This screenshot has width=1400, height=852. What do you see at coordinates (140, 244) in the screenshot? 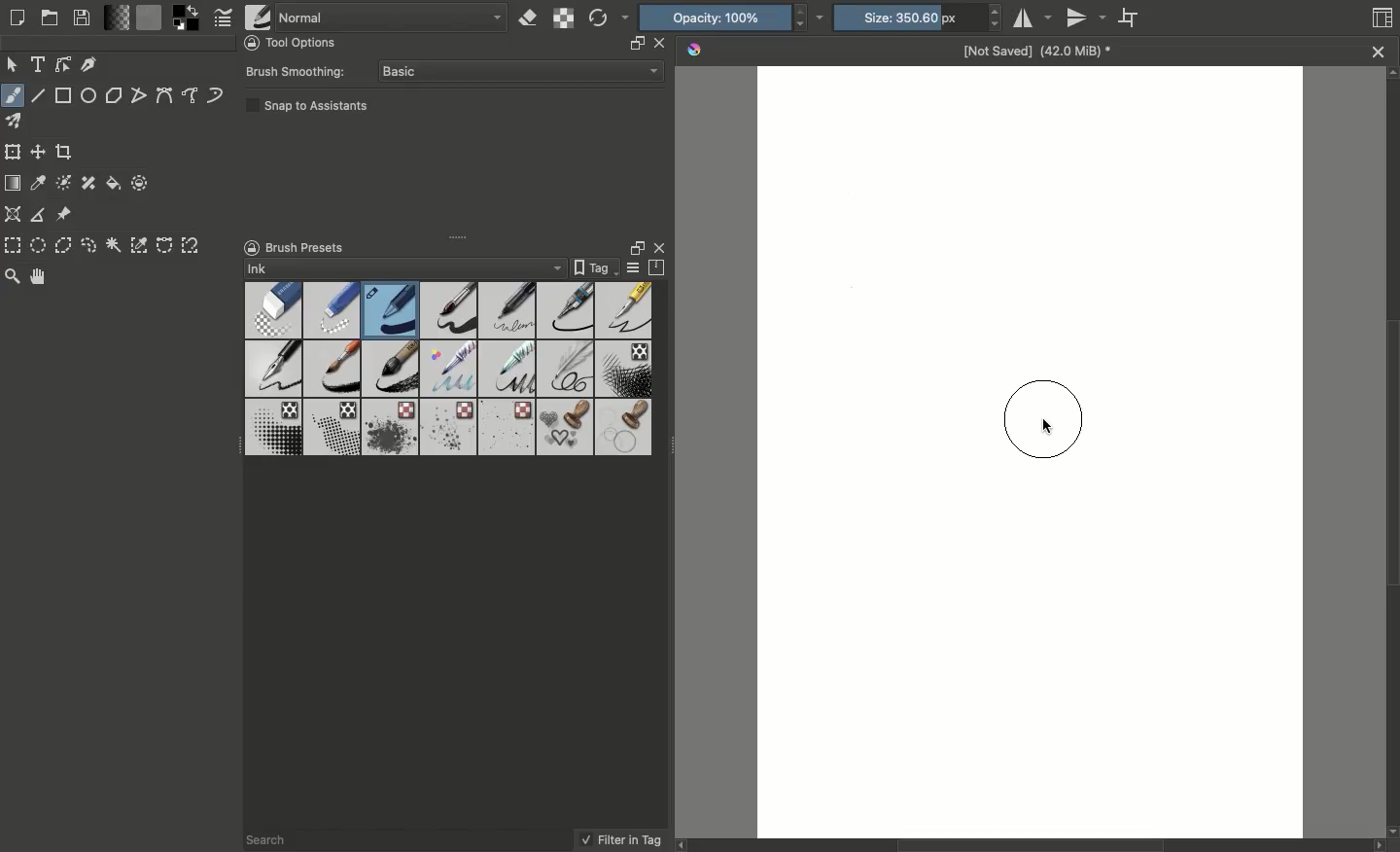
I see `Color selection tool` at bounding box center [140, 244].